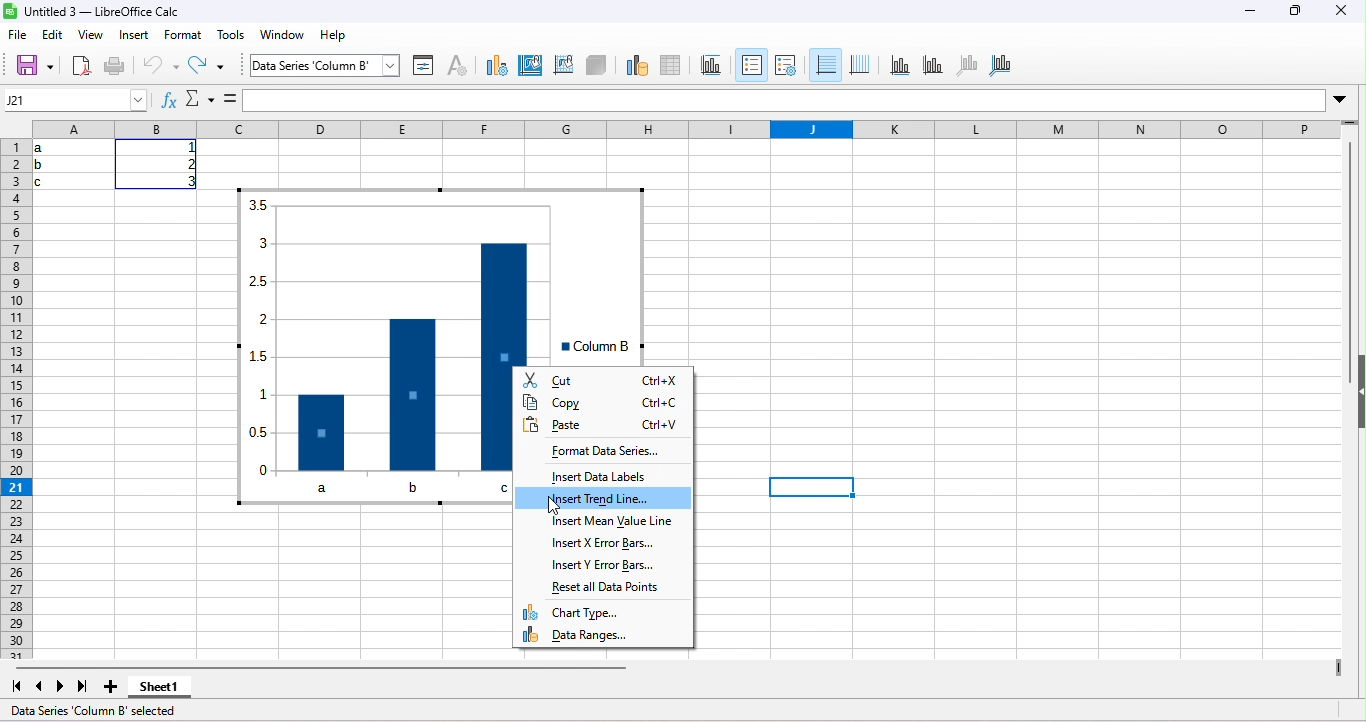 The height and width of the screenshot is (722, 1366). I want to click on vertical scroll bar, so click(1346, 262).